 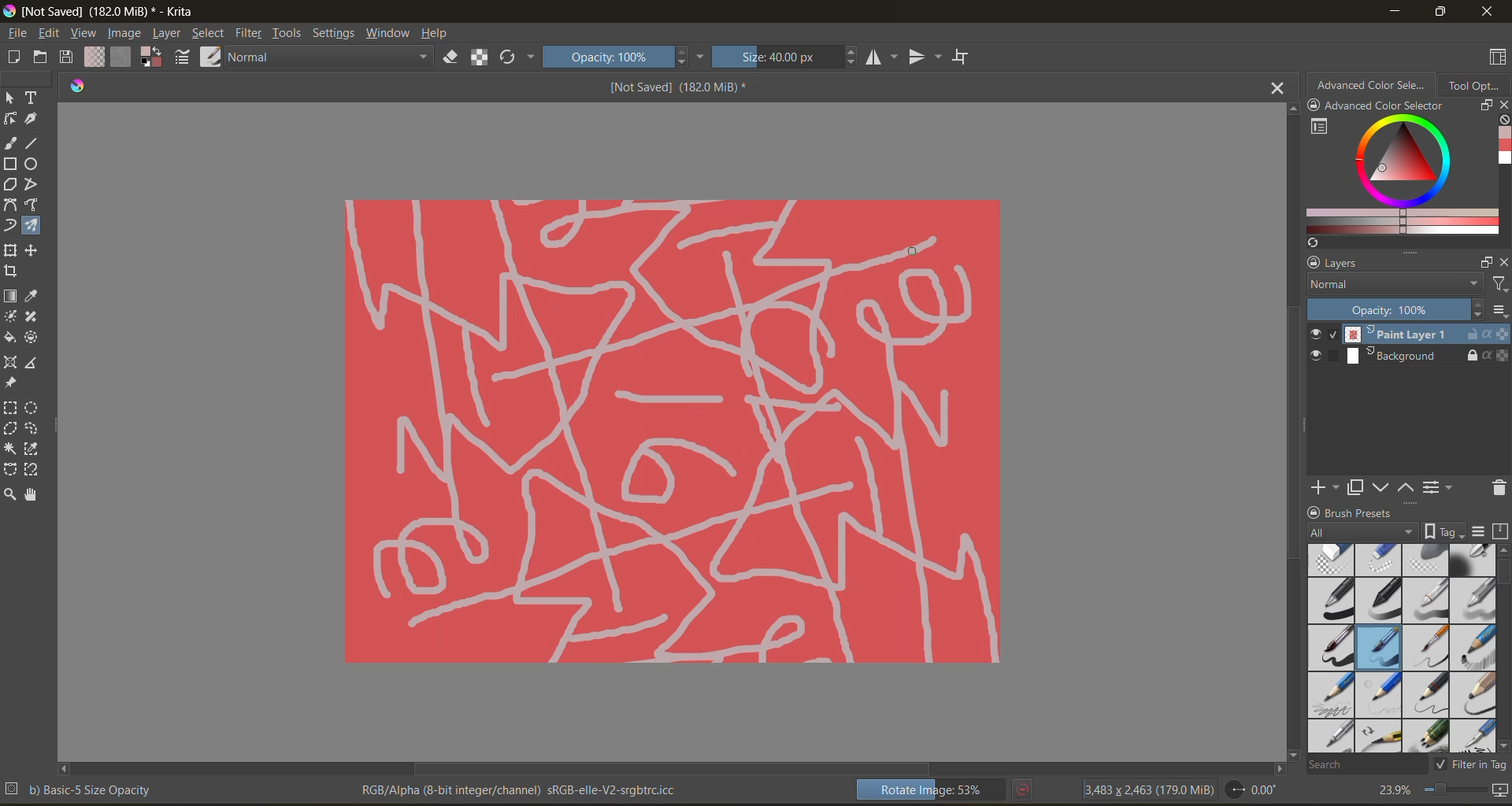 What do you see at coordinates (884, 58) in the screenshot?
I see `flip horizontally` at bounding box center [884, 58].